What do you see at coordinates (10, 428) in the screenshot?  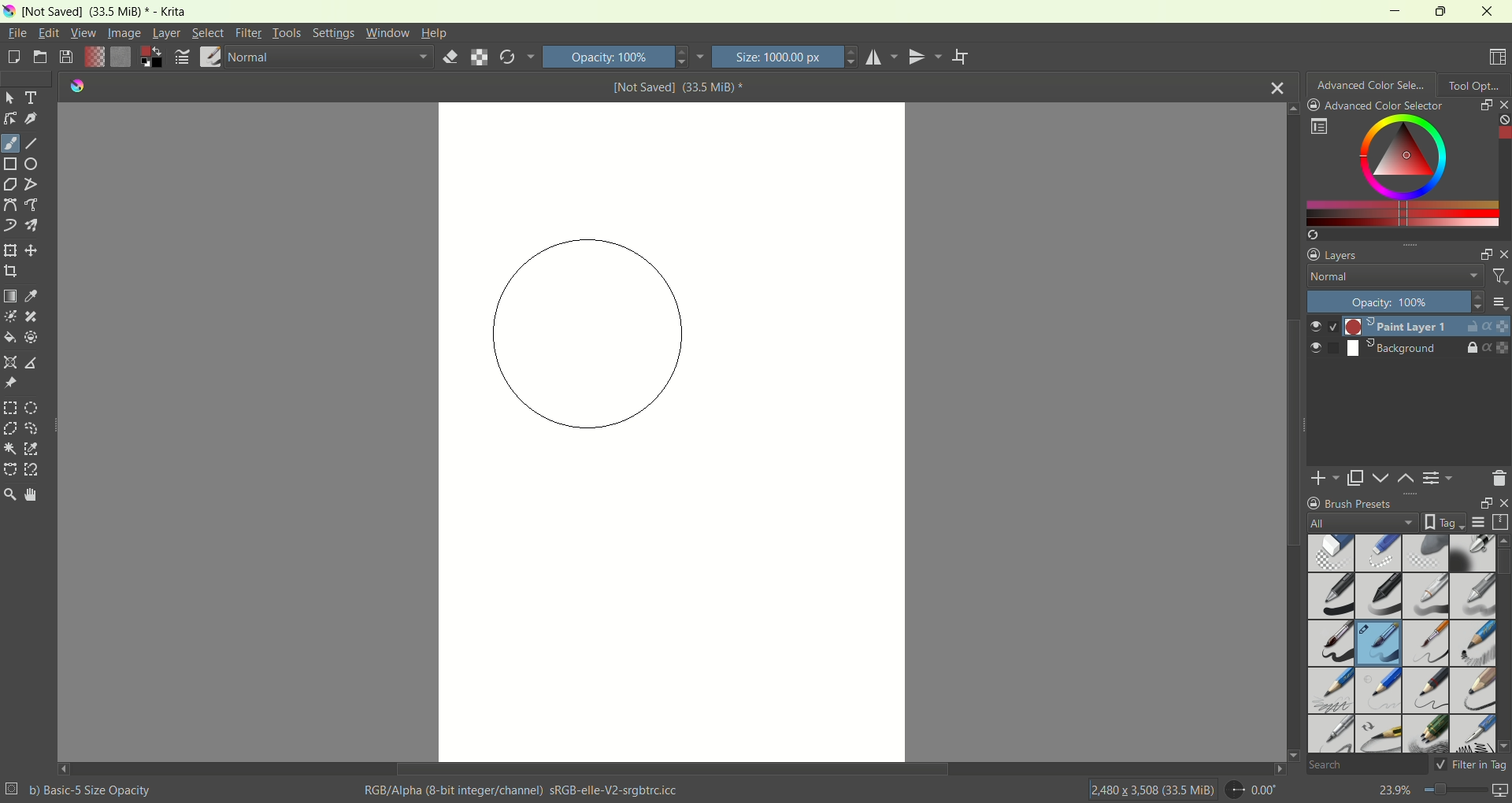 I see `polygonal selection` at bounding box center [10, 428].